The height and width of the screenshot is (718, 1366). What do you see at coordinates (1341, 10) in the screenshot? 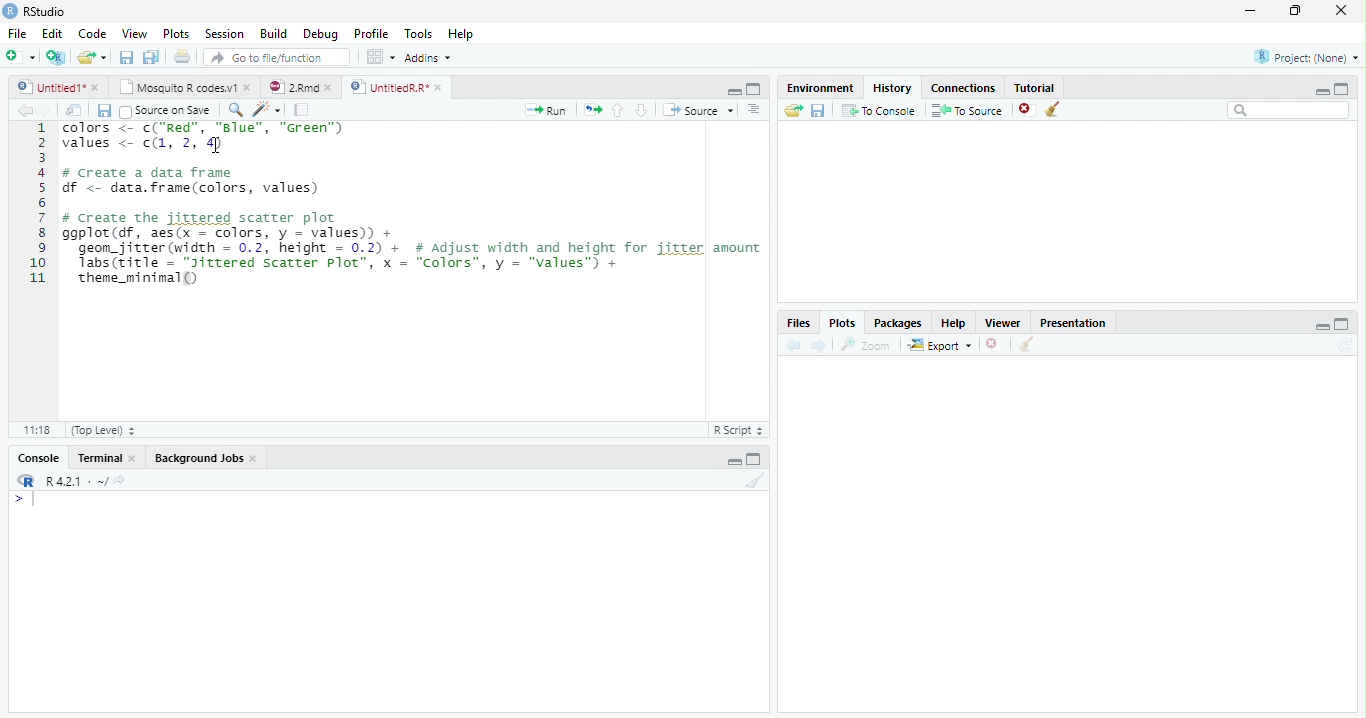
I see `close` at bounding box center [1341, 10].